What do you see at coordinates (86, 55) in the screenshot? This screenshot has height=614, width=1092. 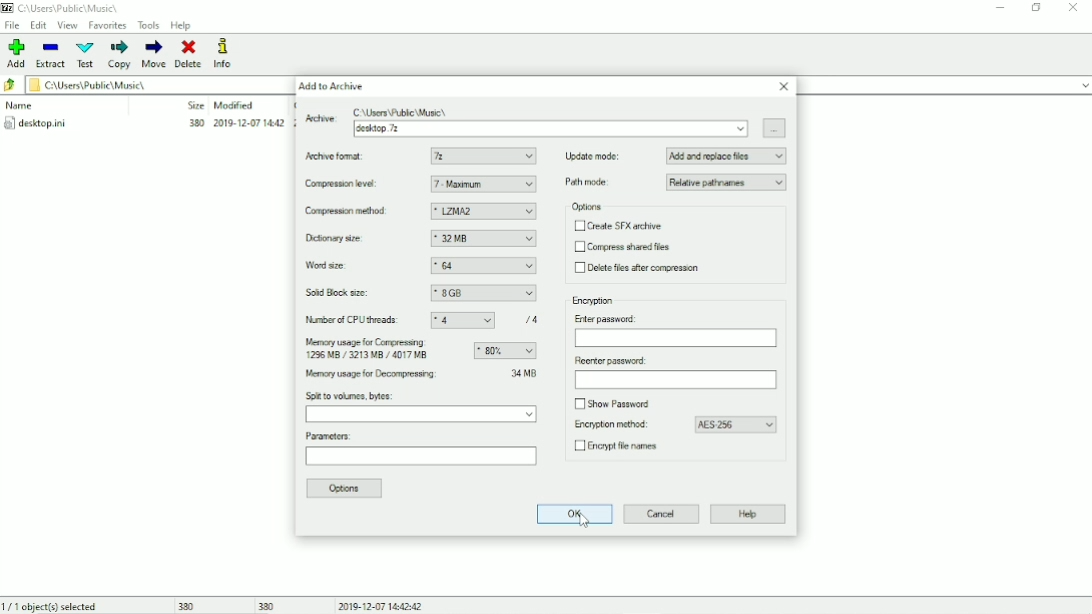 I see `Test` at bounding box center [86, 55].